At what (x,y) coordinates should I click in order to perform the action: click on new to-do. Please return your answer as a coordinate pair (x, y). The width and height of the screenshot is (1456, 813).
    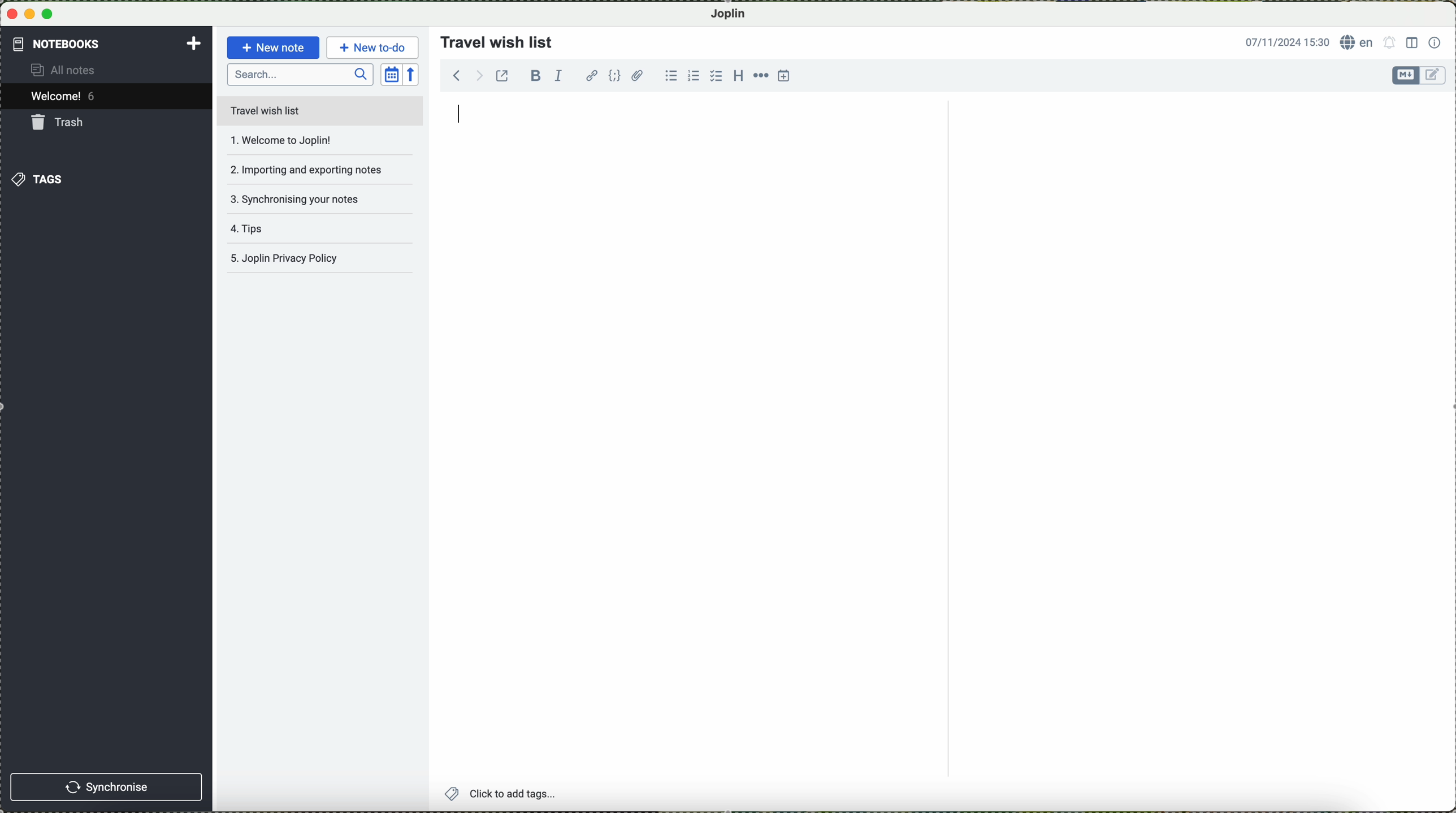
    Looking at the image, I should click on (372, 46).